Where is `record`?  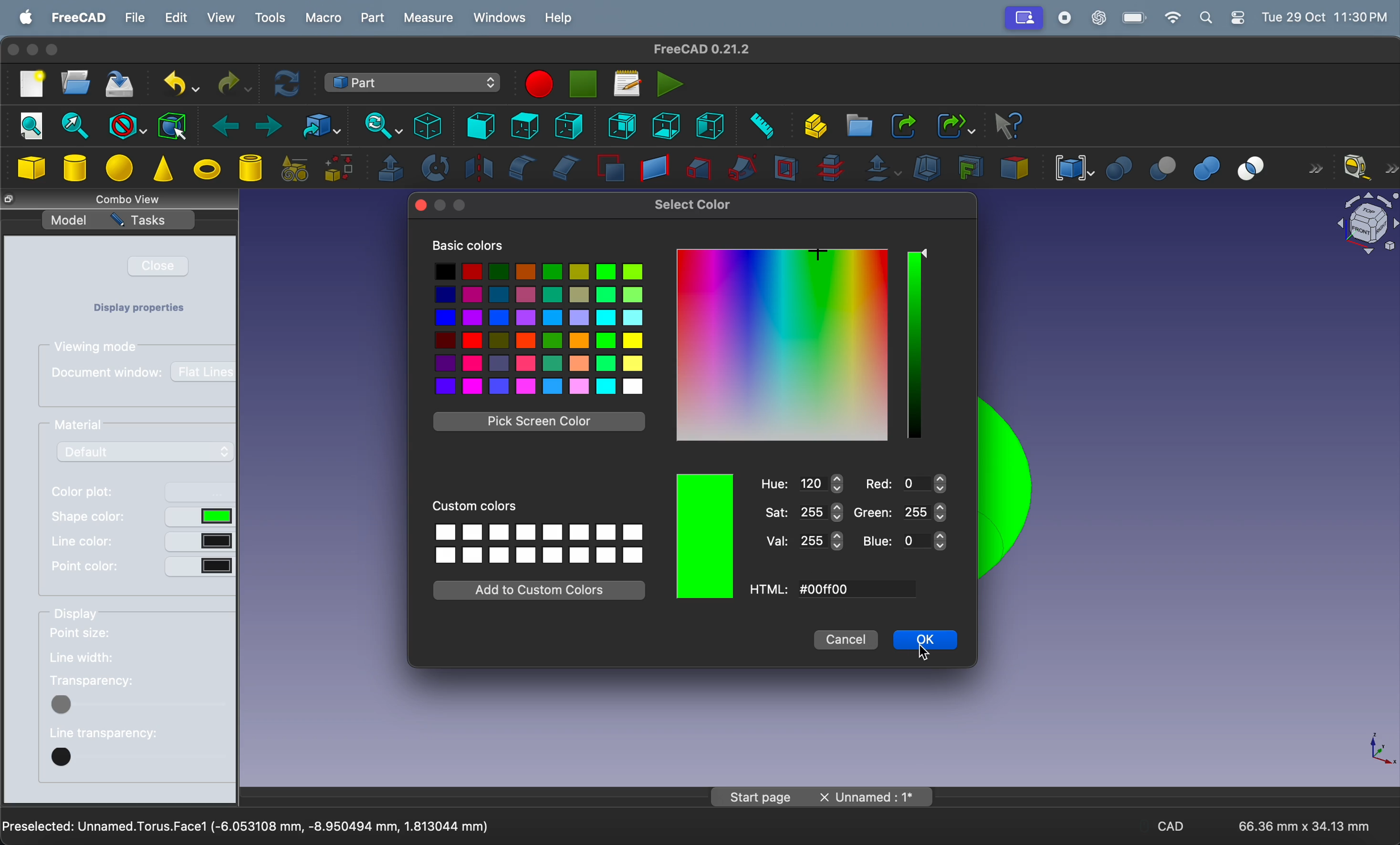
record is located at coordinates (1065, 16).